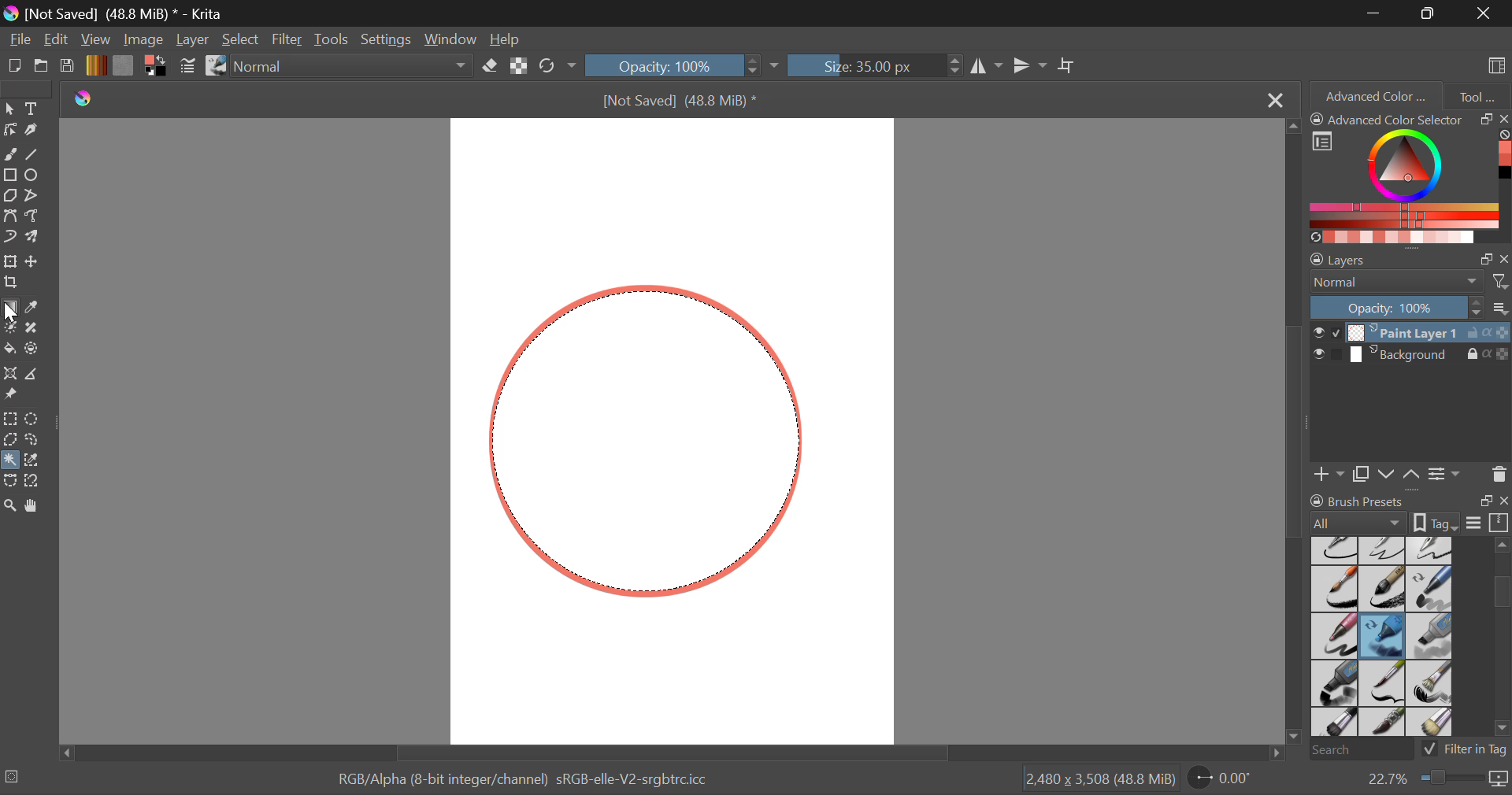  What do you see at coordinates (15, 68) in the screenshot?
I see `New` at bounding box center [15, 68].